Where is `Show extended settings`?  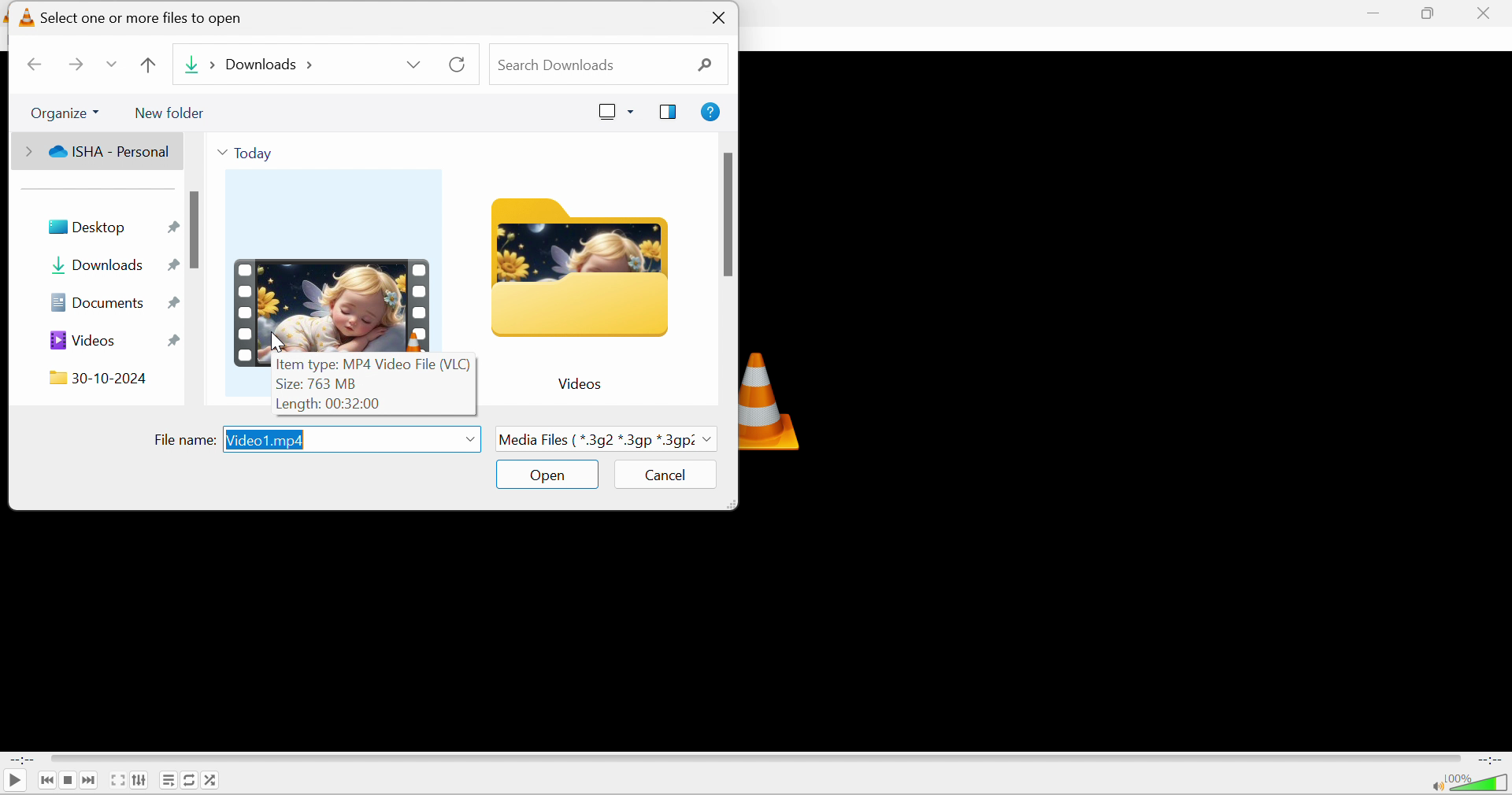 Show extended settings is located at coordinates (142, 780).